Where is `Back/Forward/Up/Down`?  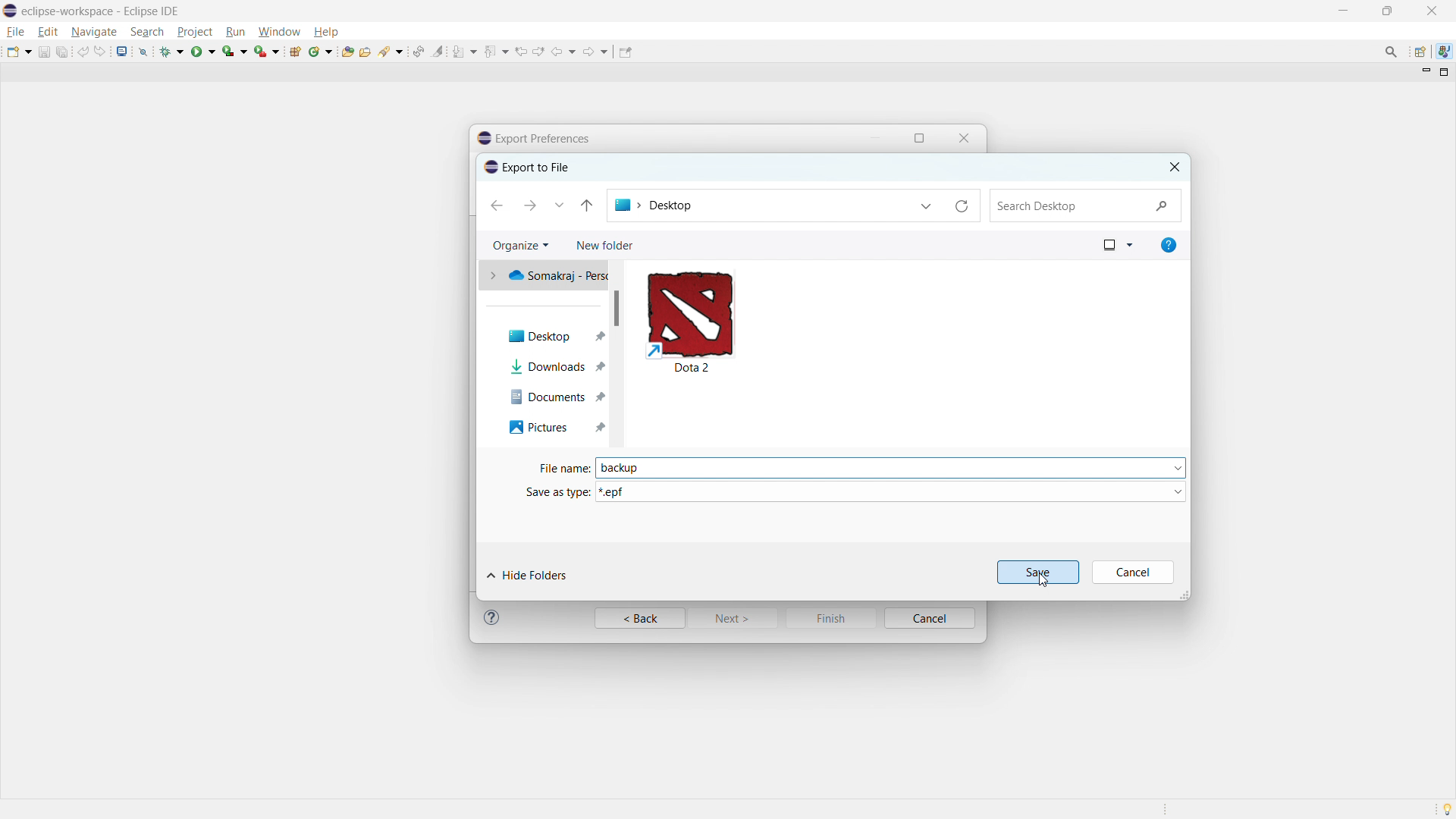
Back/Forward/Up/Down is located at coordinates (546, 205).